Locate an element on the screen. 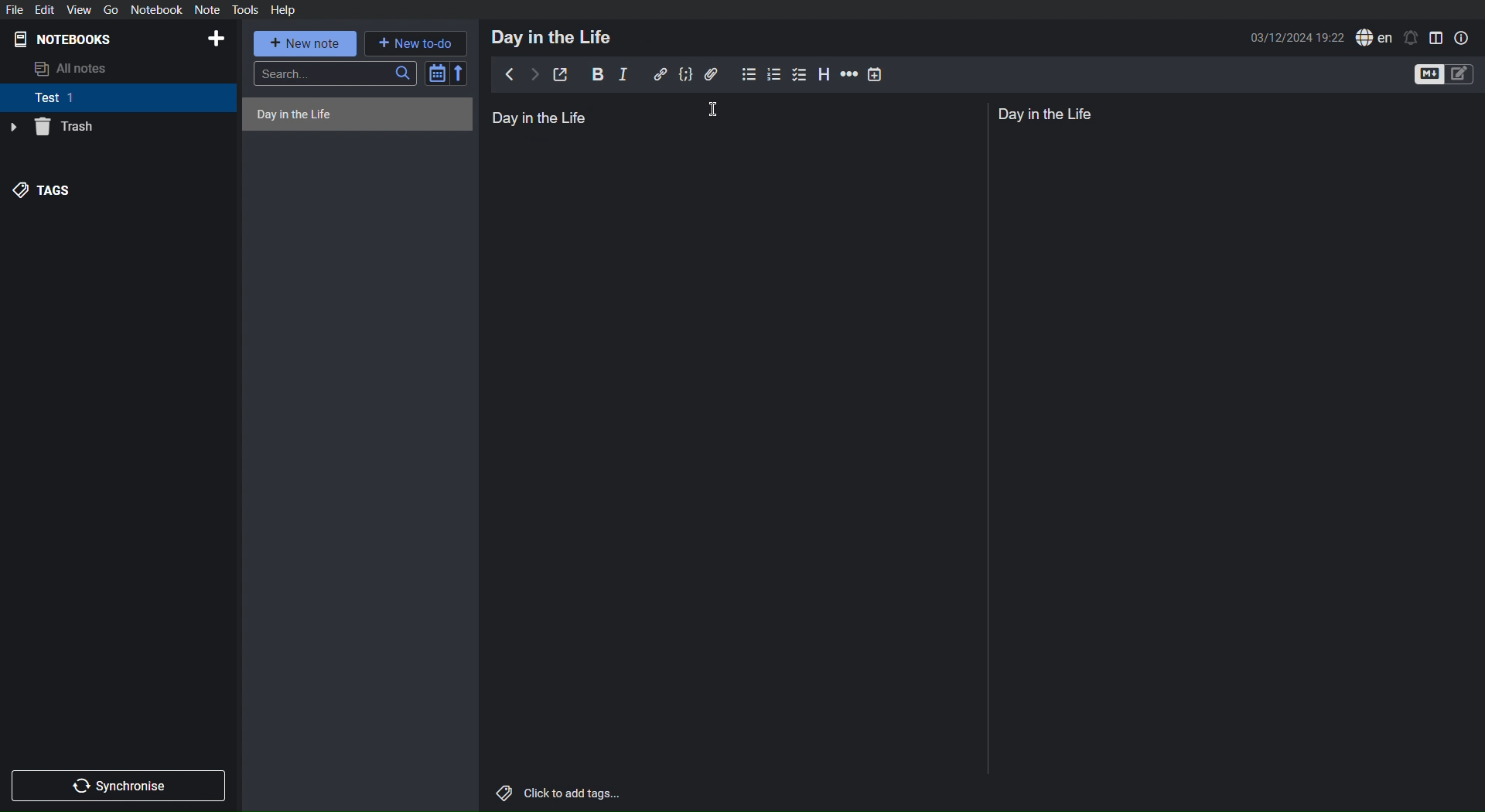  All notes is located at coordinates (74, 70).